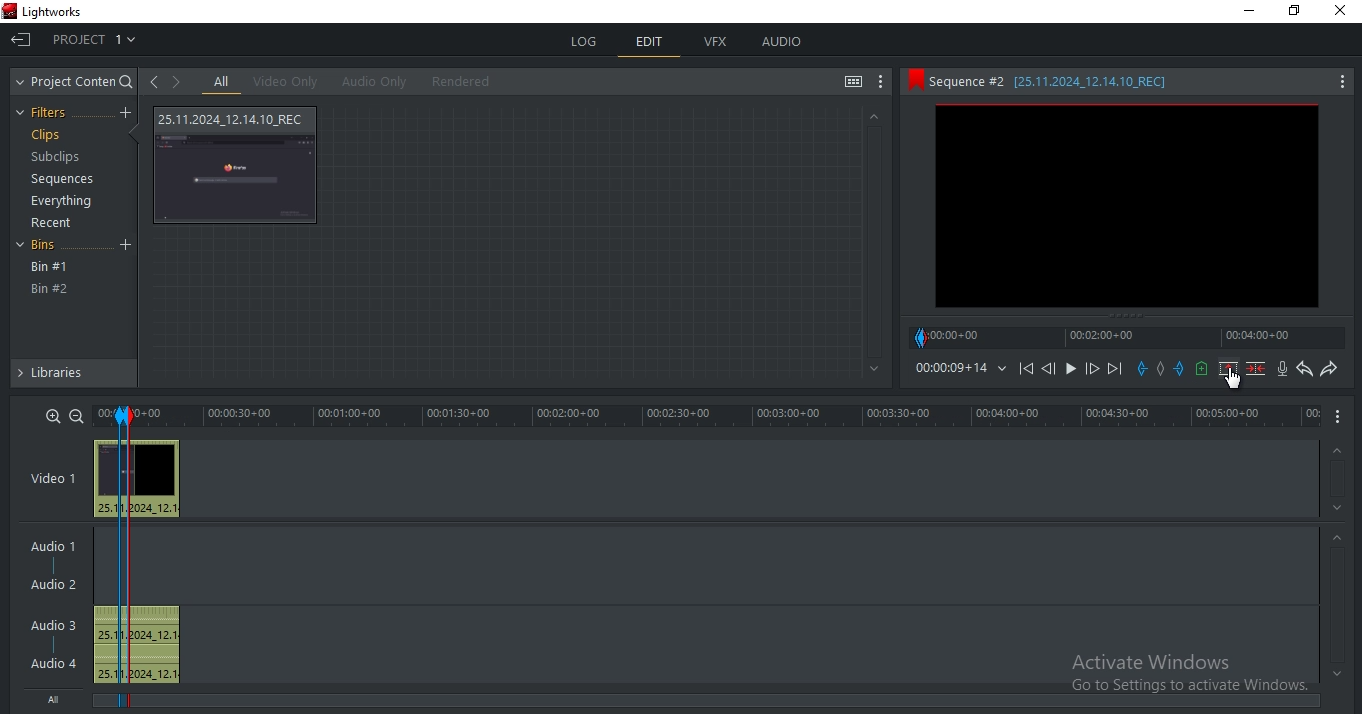 The height and width of the screenshot is (714, 1362). Describe the element at coordinates (1174, 668) in the screenshot. I see `Active Windowa` at that location.